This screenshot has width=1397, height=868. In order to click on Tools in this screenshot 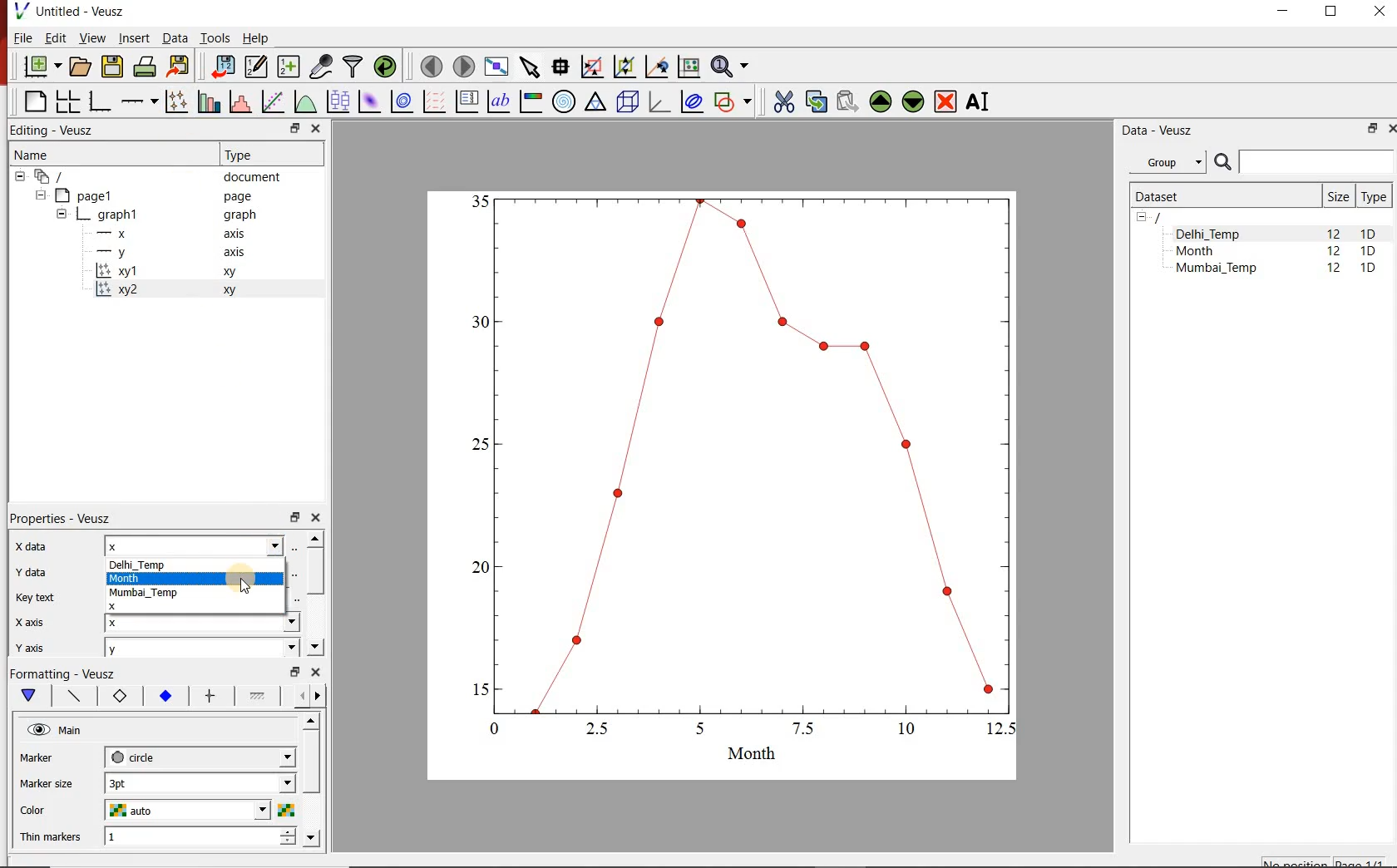, I will do `click(216, 38)`.